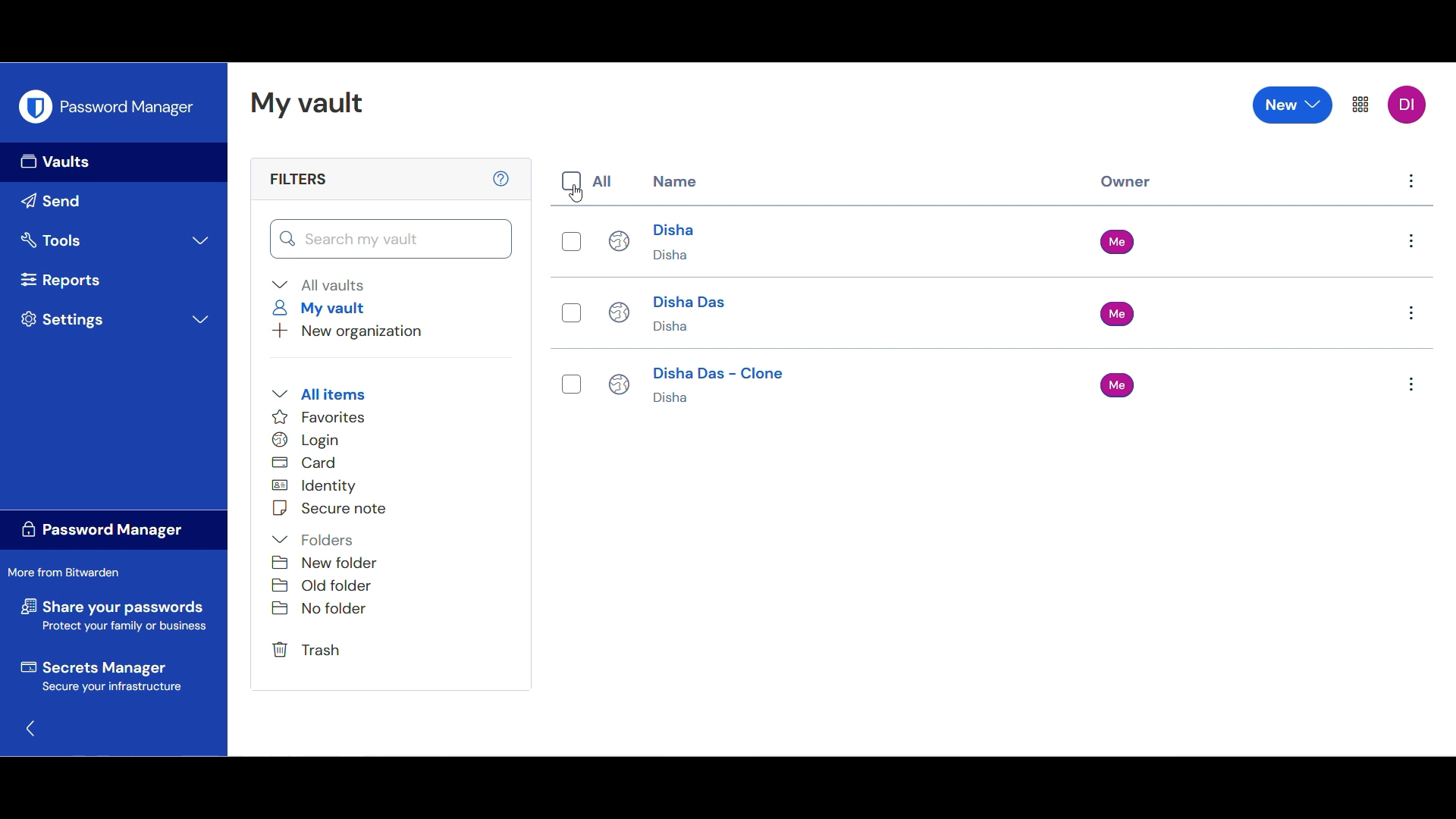 The image size is (1456, 819). What do you see at coordinates (698, 388) in the screenshot?
I see `Disha Das - Clone       Disha` at bounding box center [698, 388].